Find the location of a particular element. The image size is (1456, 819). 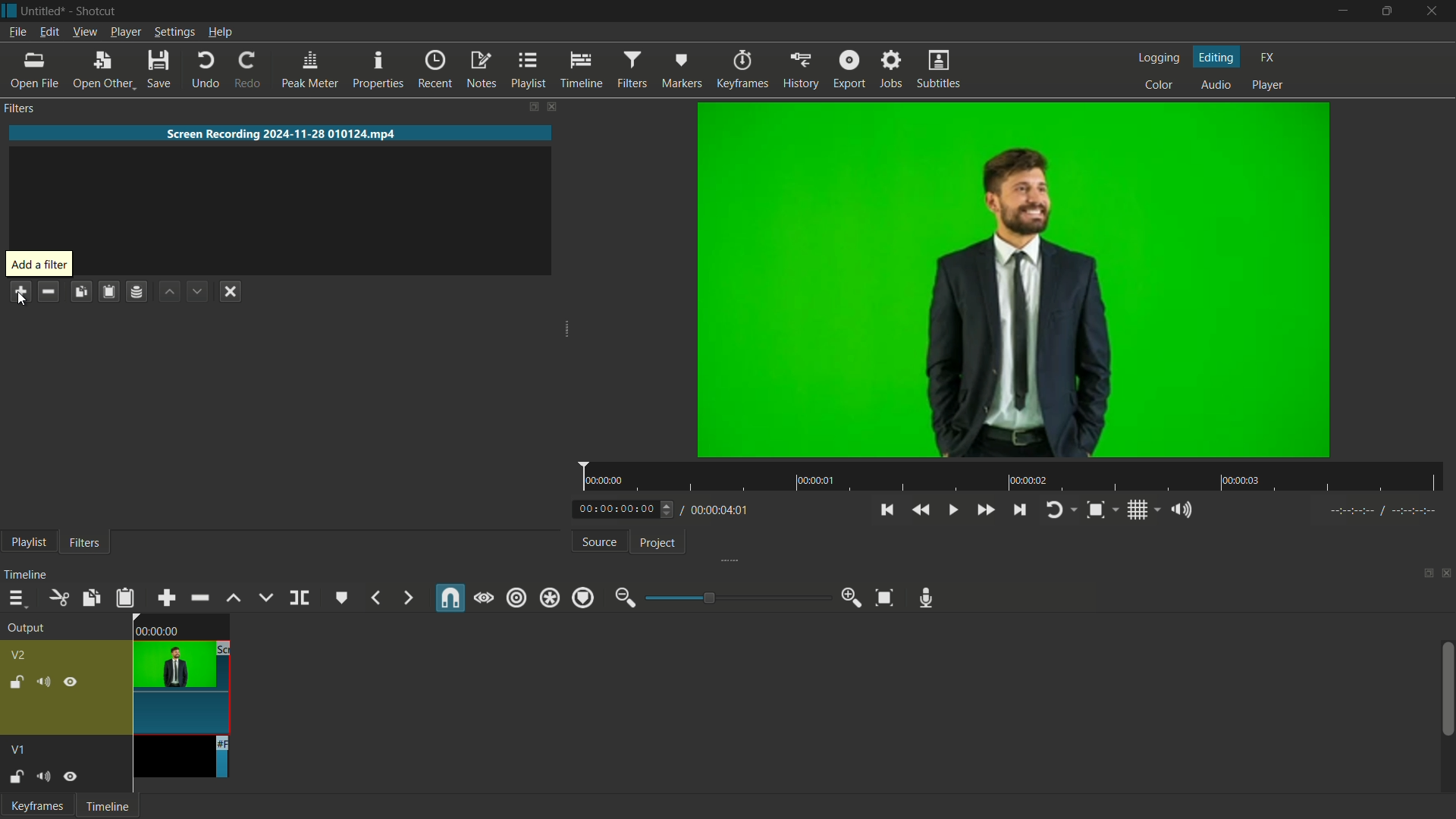

undo is located at coordinates (202, 69).